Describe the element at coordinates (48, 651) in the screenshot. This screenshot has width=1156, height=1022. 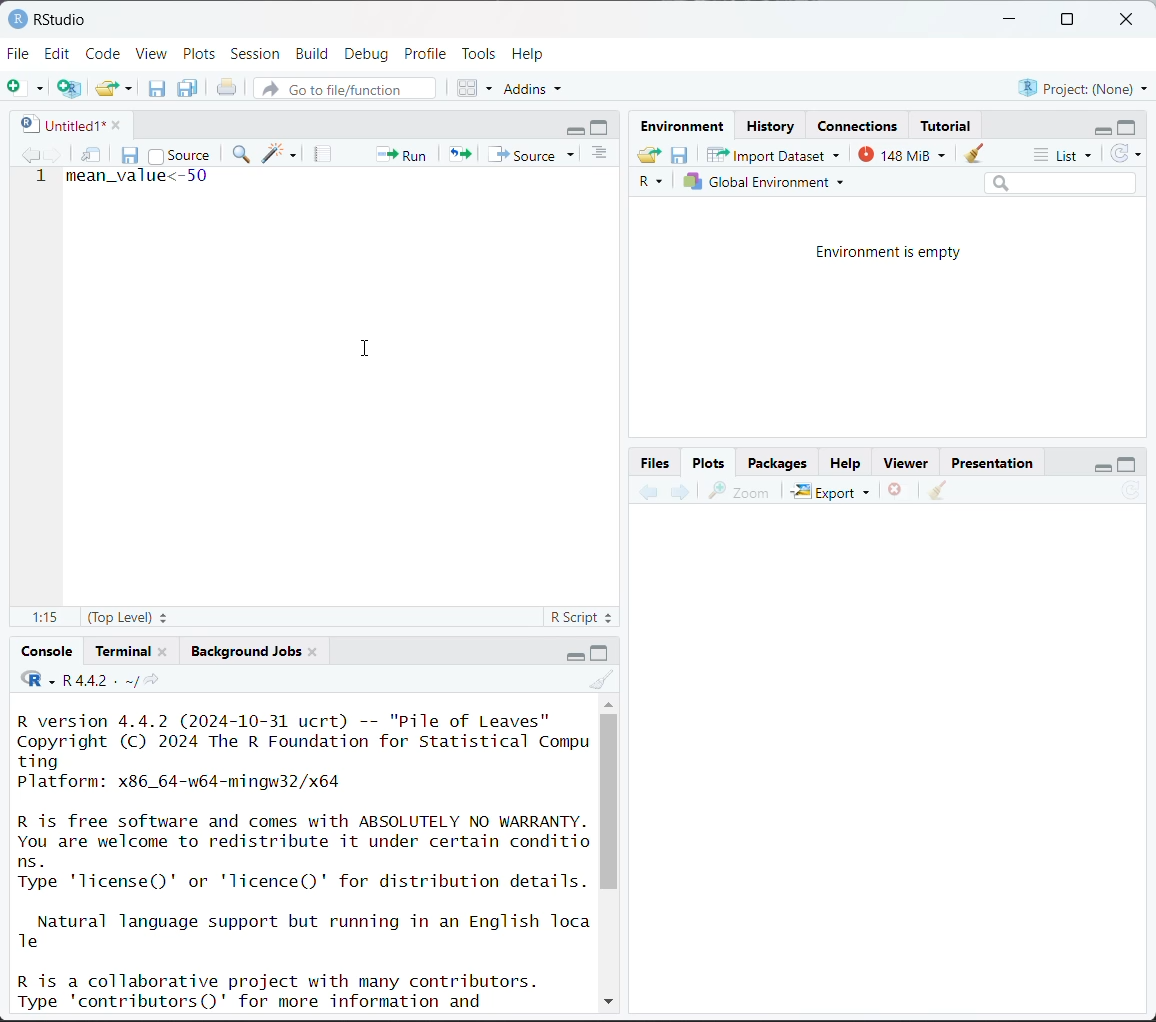
I see `Console` at that location.